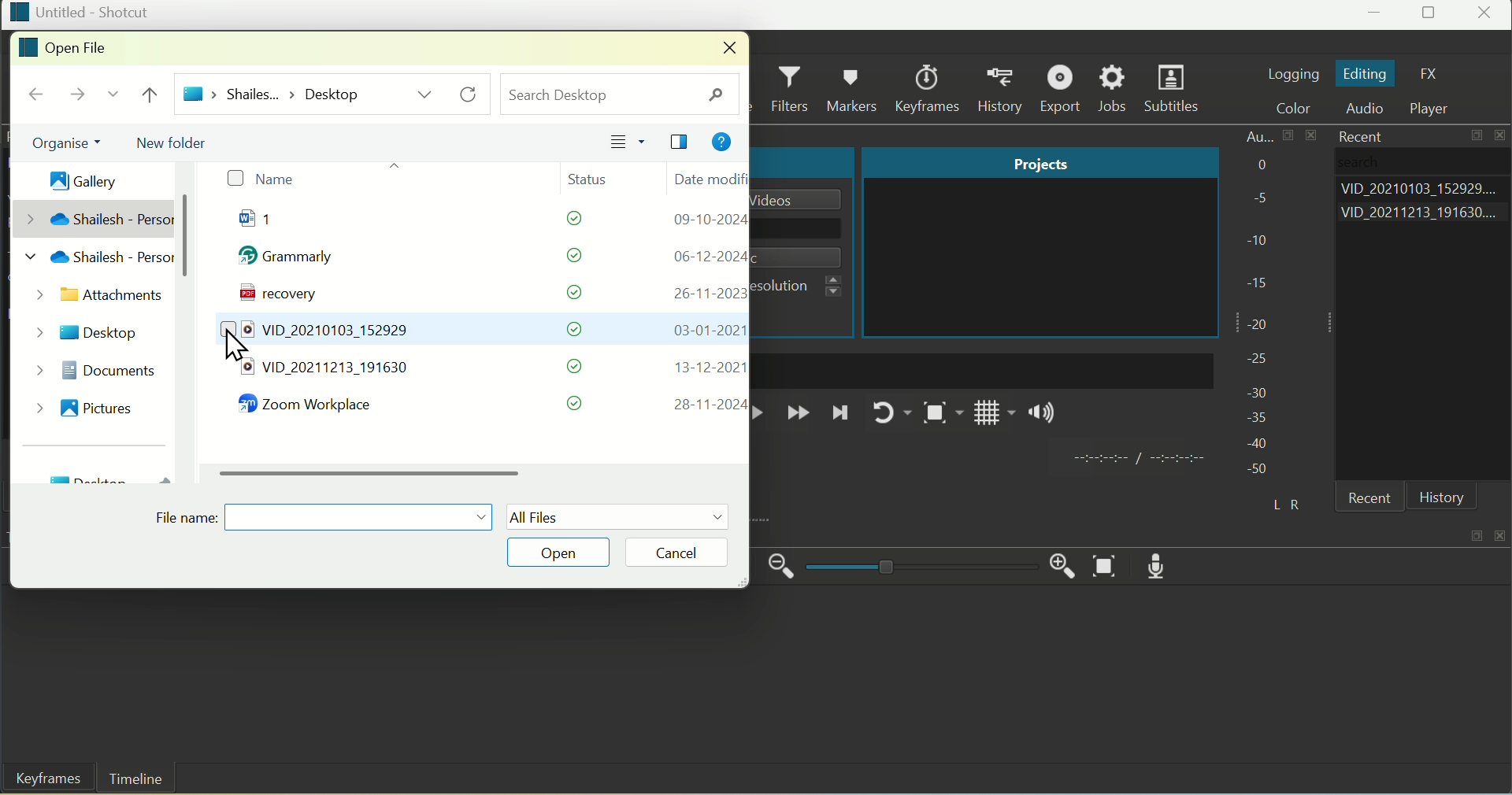 The height and width of the screenshot is (795, 1512). Describe the element at coordinates (272, 222) in the screenshot. I see `1` at that location.